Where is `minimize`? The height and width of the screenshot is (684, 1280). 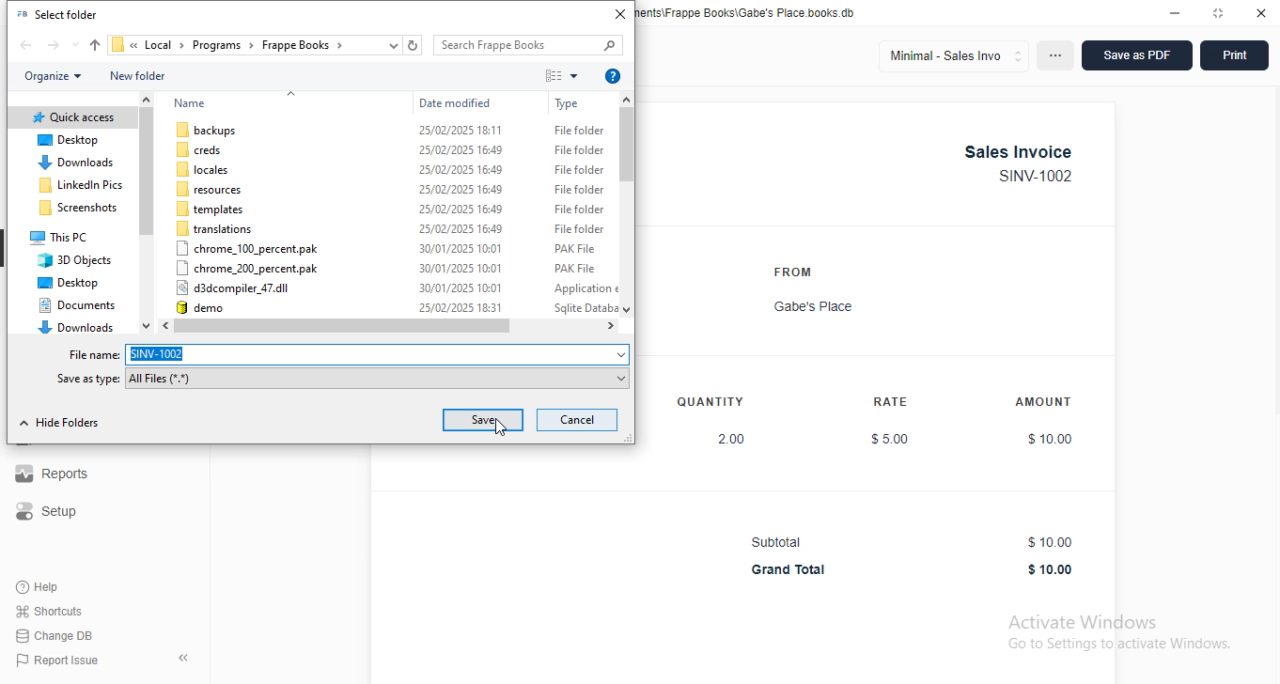 minimize is located at coordinates (1175, 13).